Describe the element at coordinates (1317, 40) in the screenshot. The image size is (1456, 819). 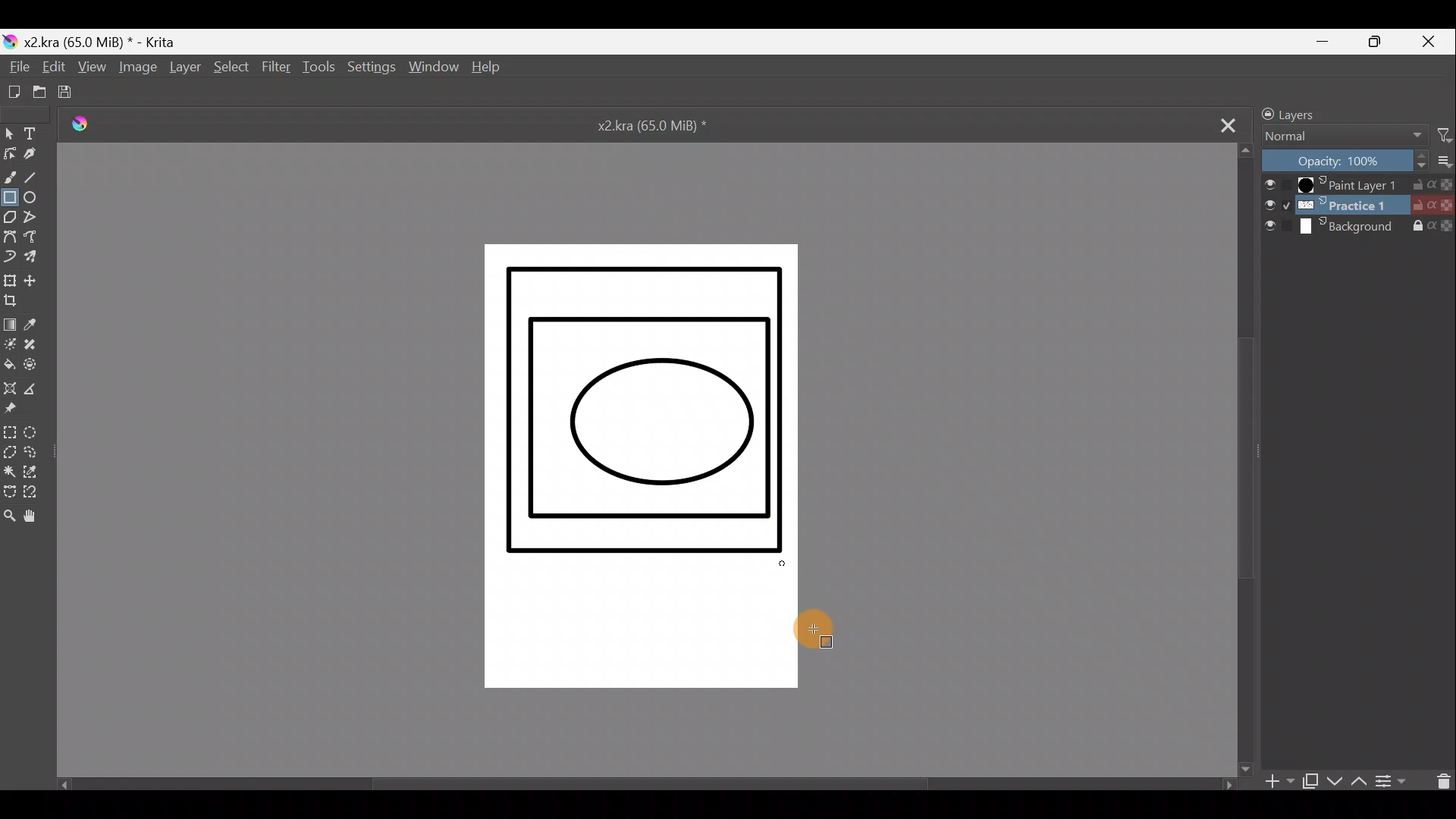
I see `Minimize` at that location.